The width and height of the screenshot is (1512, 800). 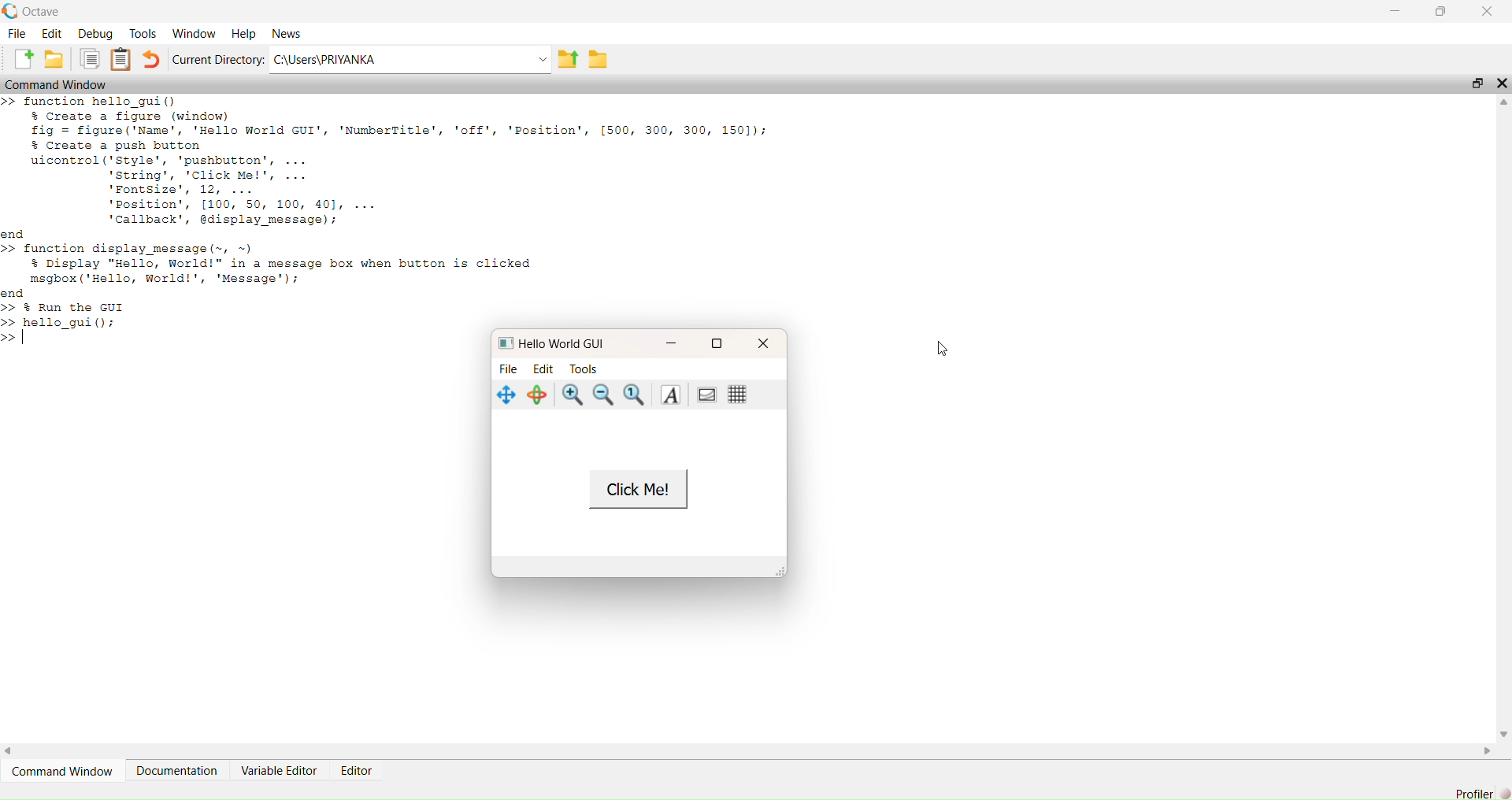 What do you see at coordinates (1472, 791) in the screenshot?
I see `Profiler]` at bounding box center [1472, 791].